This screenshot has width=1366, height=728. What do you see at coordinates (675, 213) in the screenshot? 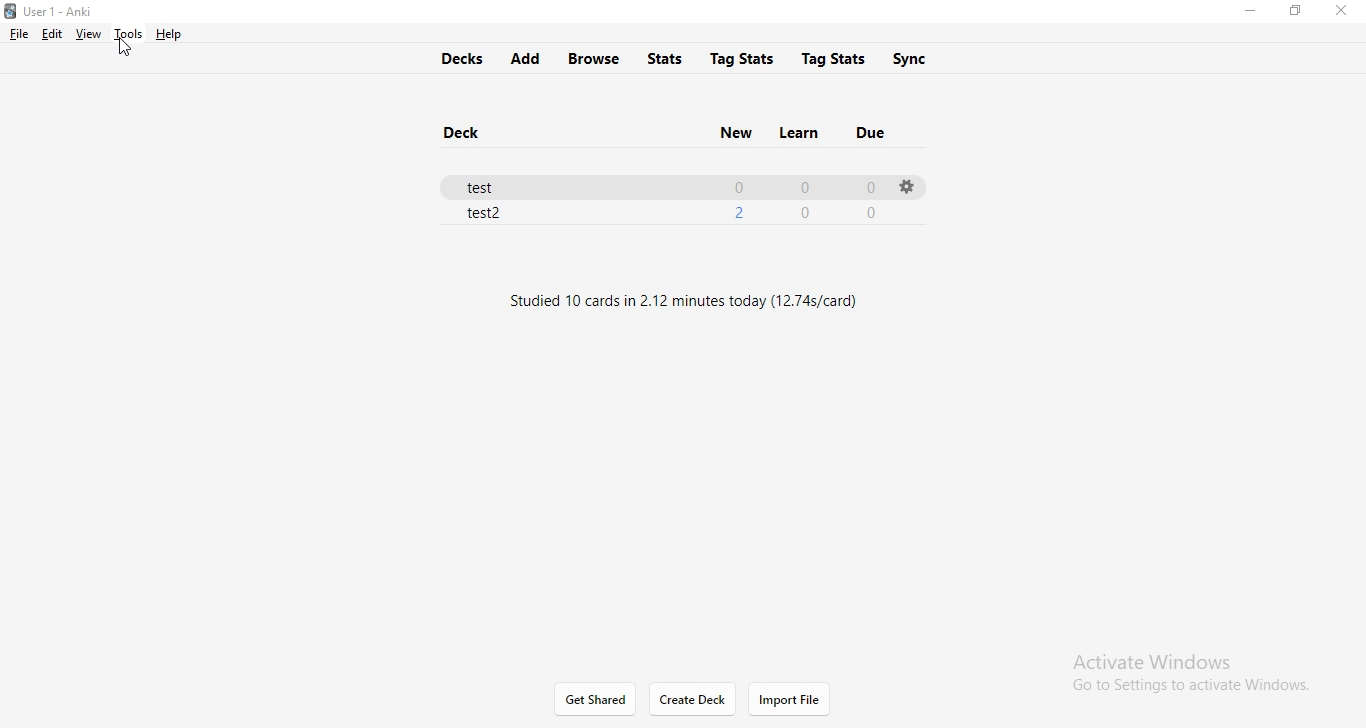
I see `test2` at bounding box center [675, 213].